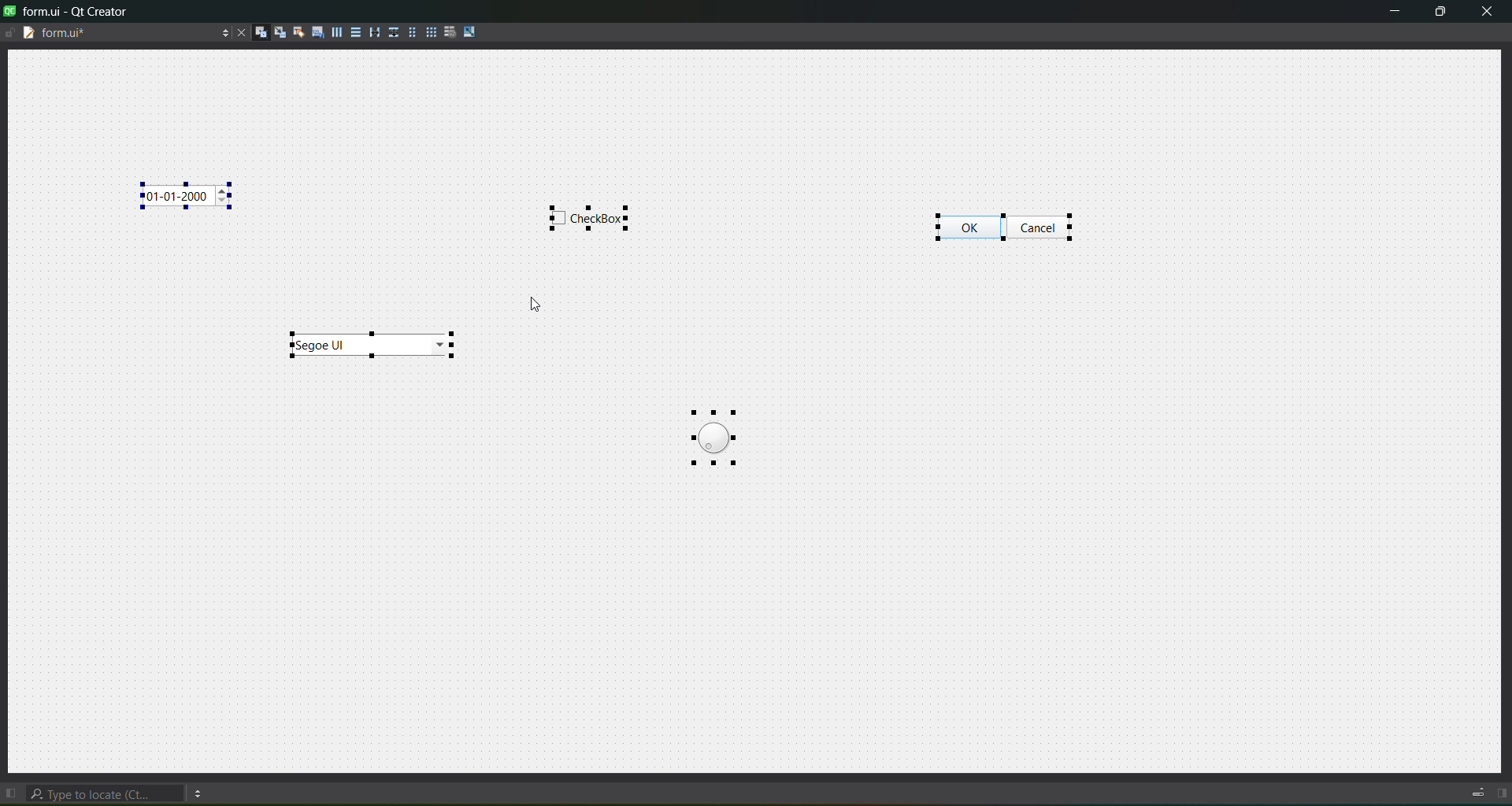  What do you see at coordinates (450, 31) in the screenshot?
I see `break layout` at bounding box center [450, 31].